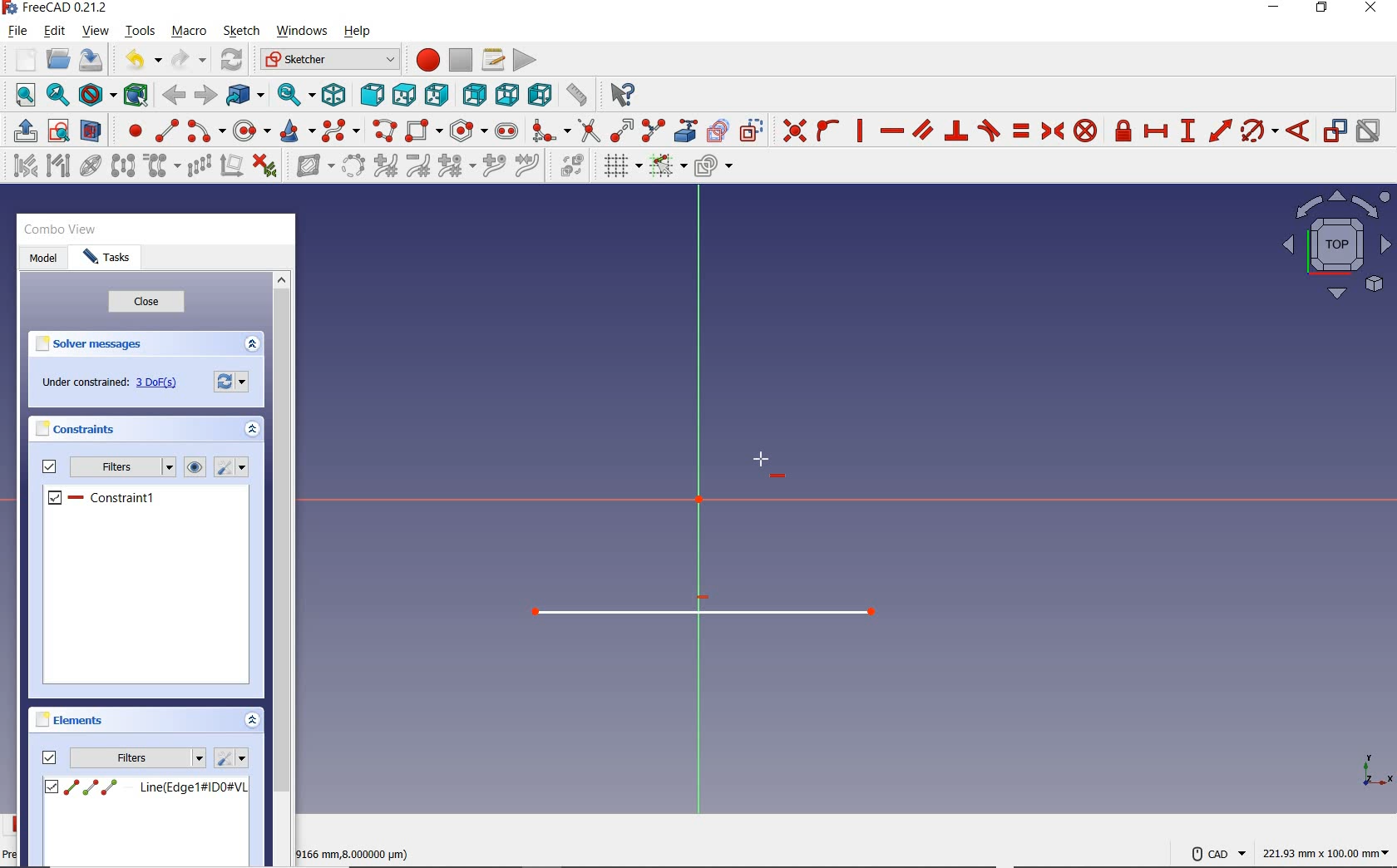 This screenshot has width=1397, height=868. What do you see at coordinates (654, 128) in the screenshot?
I see `SPLIT EDGE` at bounding box center [654, 128].